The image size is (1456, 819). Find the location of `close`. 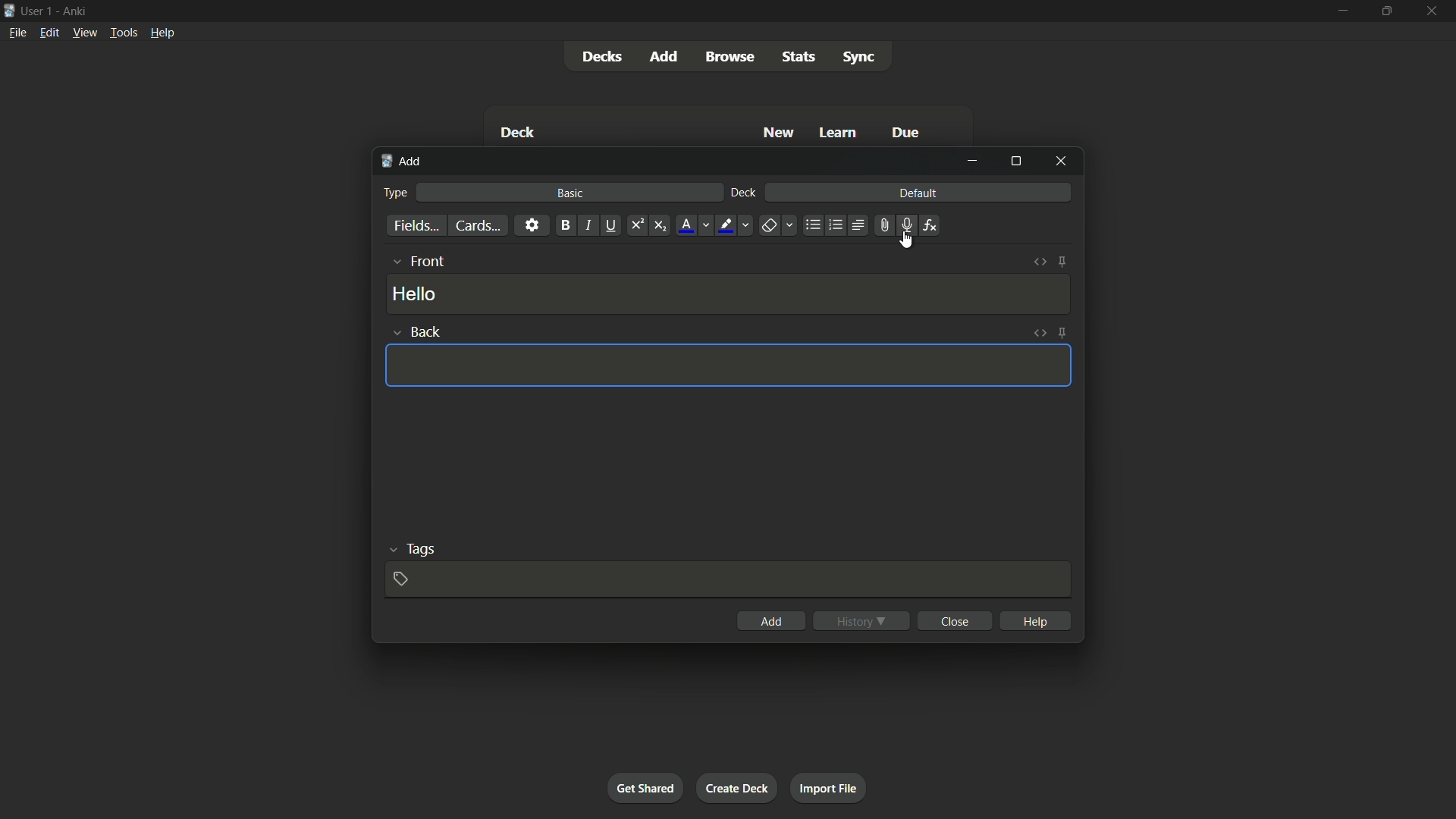

close is located at coordinates (957, 620).